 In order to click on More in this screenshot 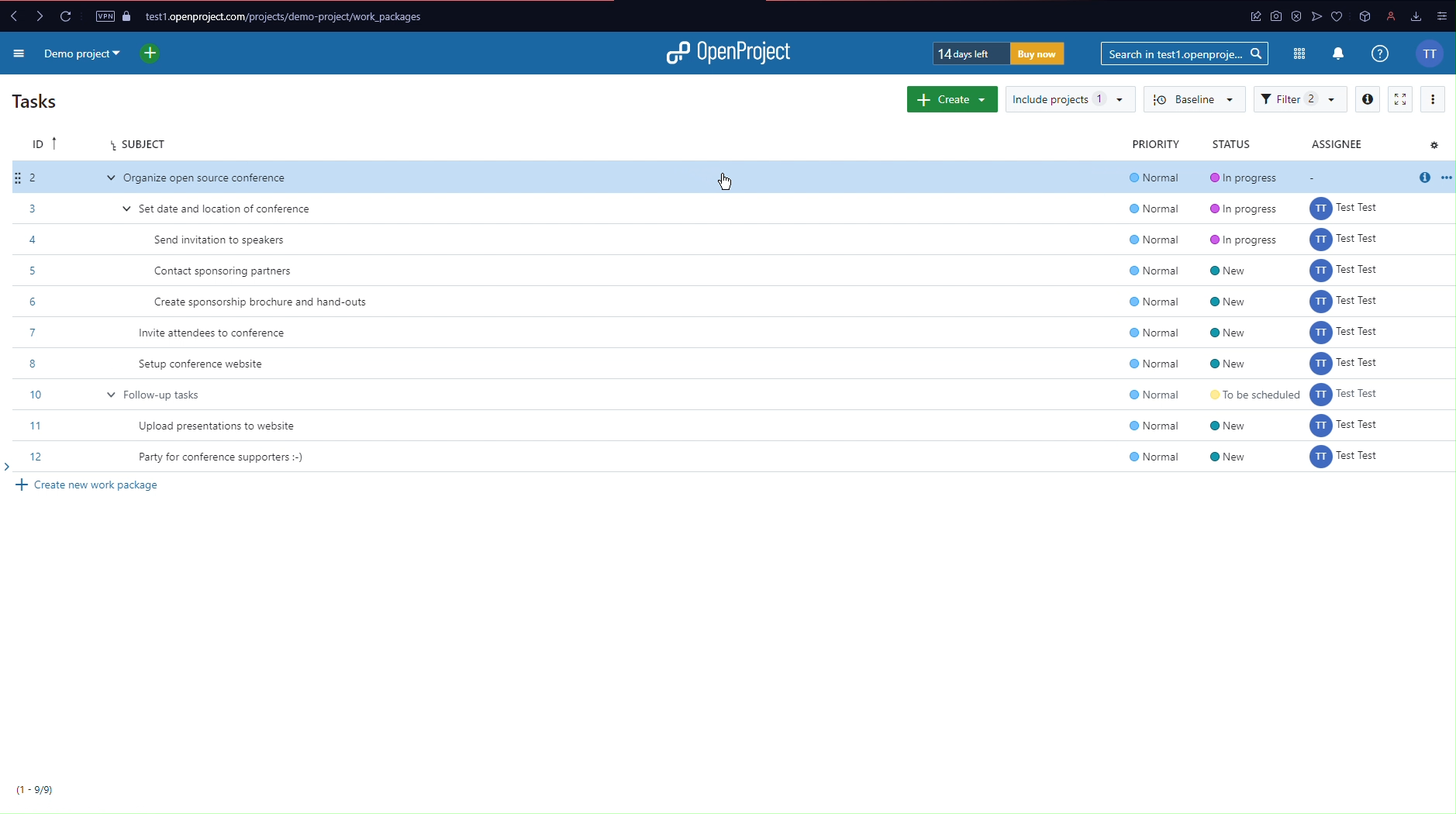, I will do `click(21, 53)`.